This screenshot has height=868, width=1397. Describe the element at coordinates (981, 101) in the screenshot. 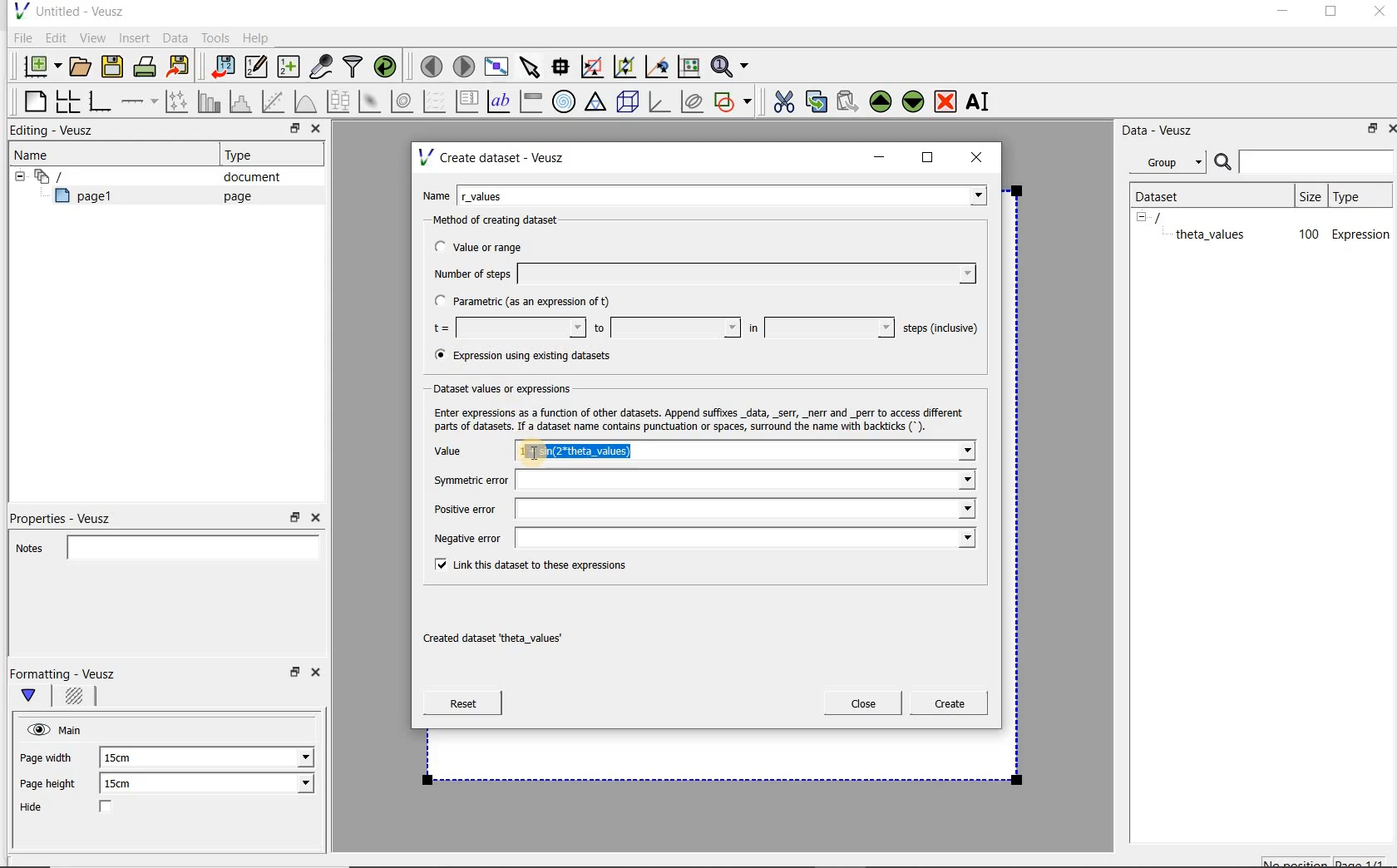

I see `rename the selected widget` at that location.